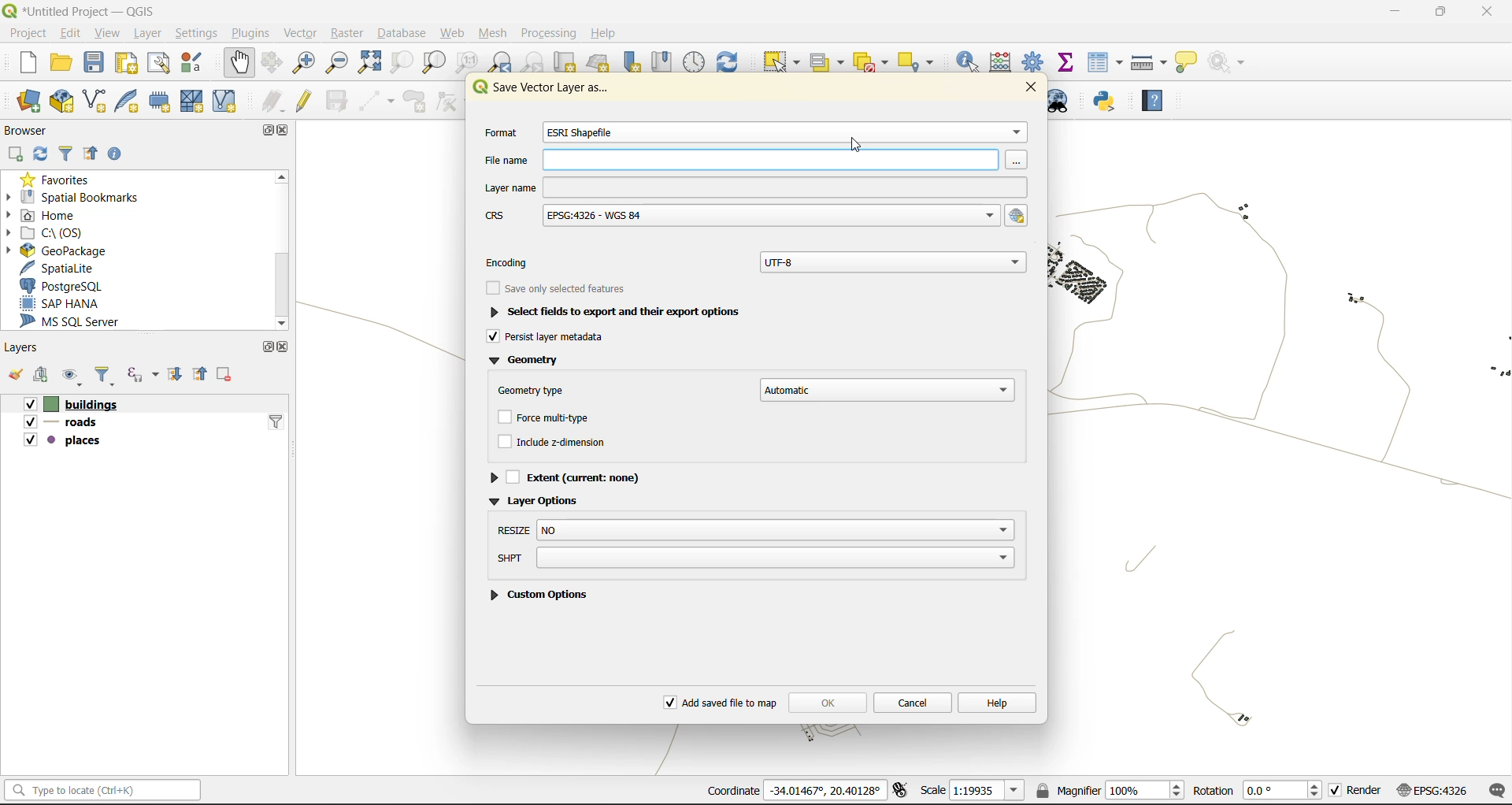 Image resolution: width=1512 pixels, height=805 pixels. Describe the element at coordinates (32, 130) in the screenshot. I see `browser` at that location.